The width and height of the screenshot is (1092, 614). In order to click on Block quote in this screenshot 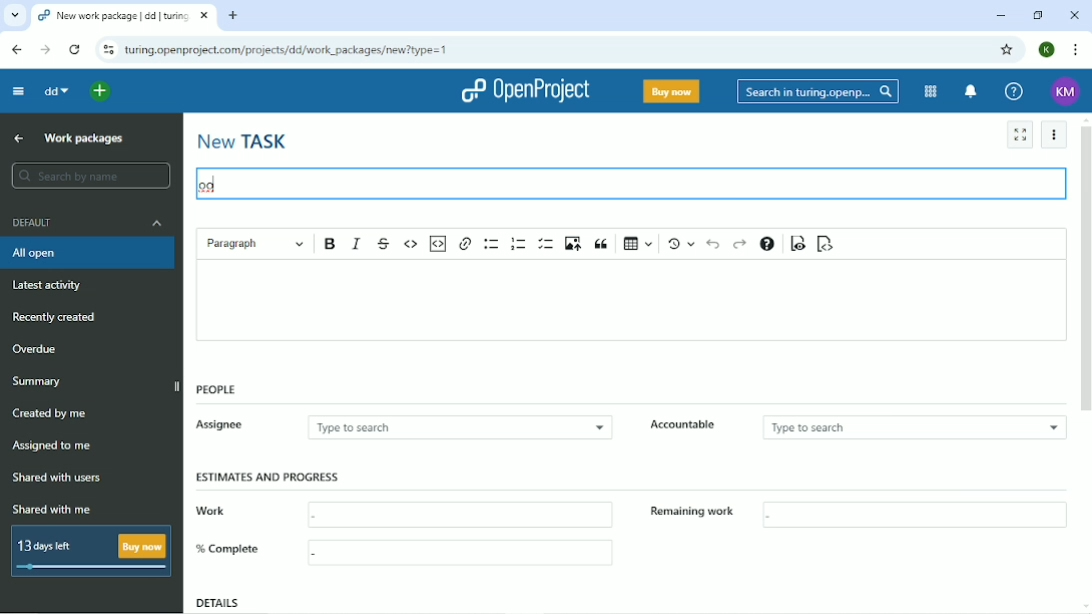, I will do `click(601, 245)`.